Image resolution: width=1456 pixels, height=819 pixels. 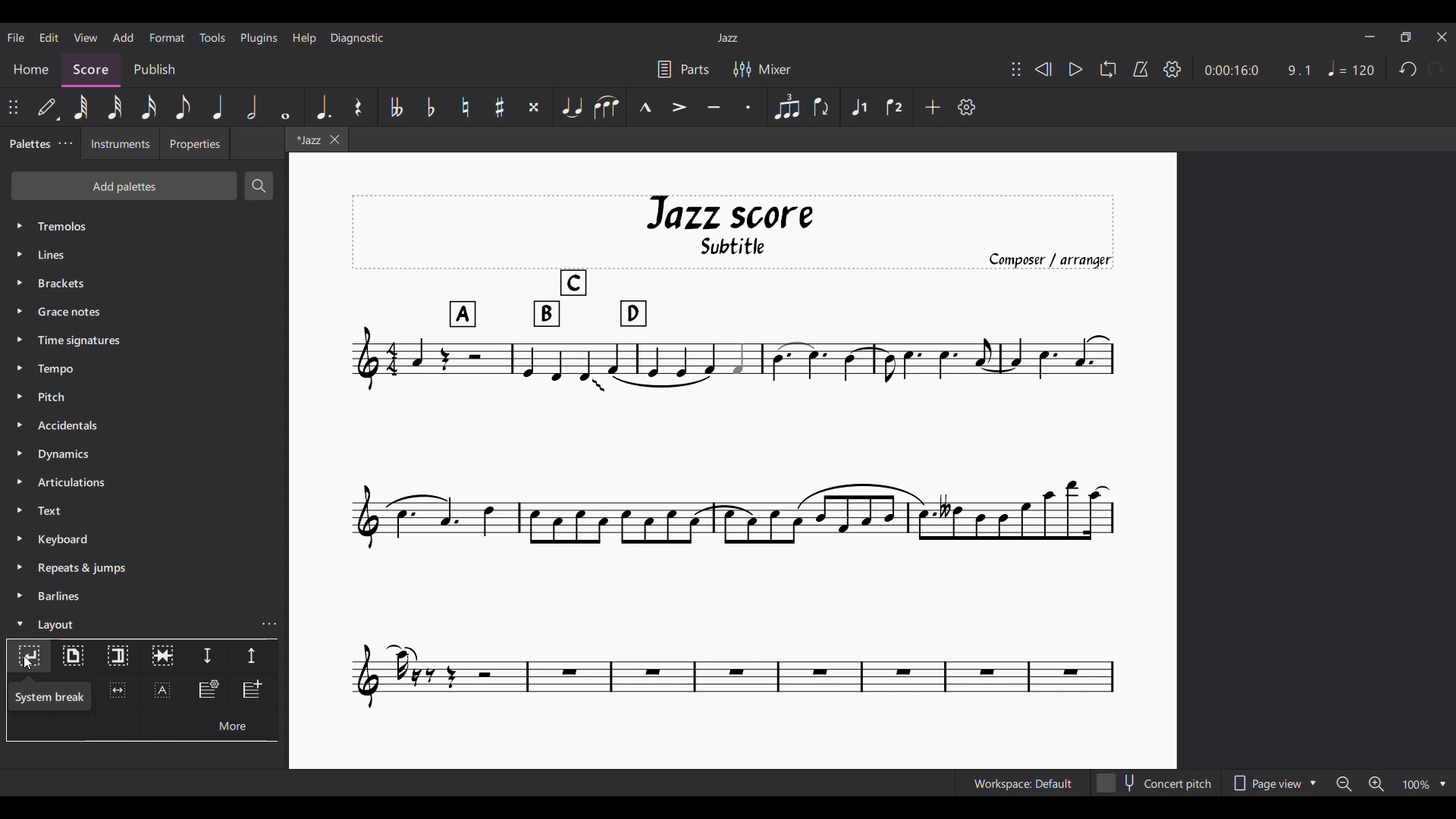 What do you see at coordinates (123, 37) in the screenshot?
I see `Add menu` at bounding box center [123, 37].